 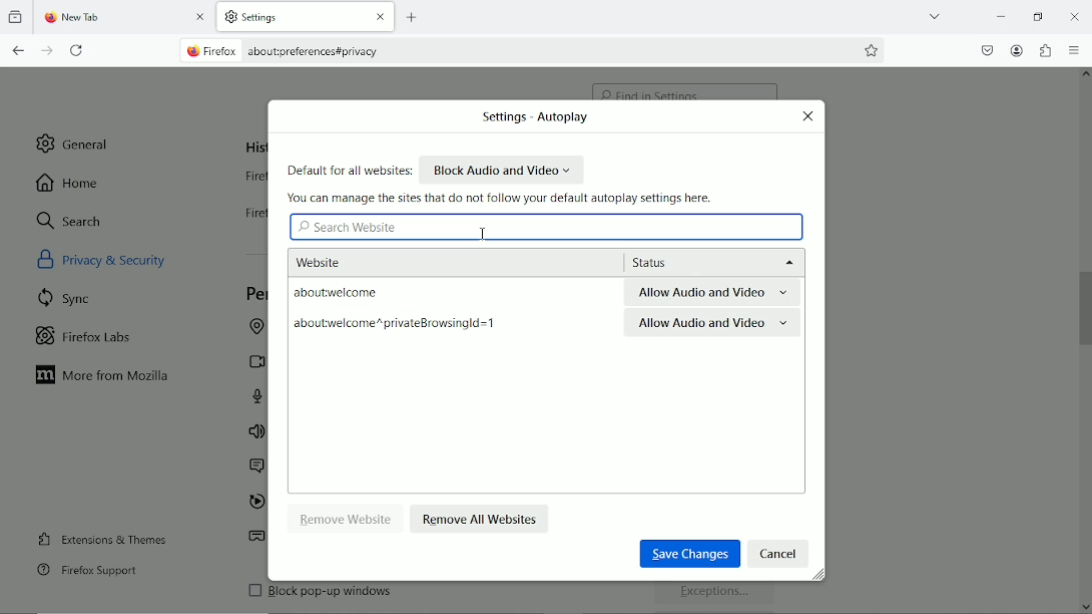 What do you see at coordinates (1076, 18) in the screenshot?
I see `Close` at bounding box center [1076, 18].